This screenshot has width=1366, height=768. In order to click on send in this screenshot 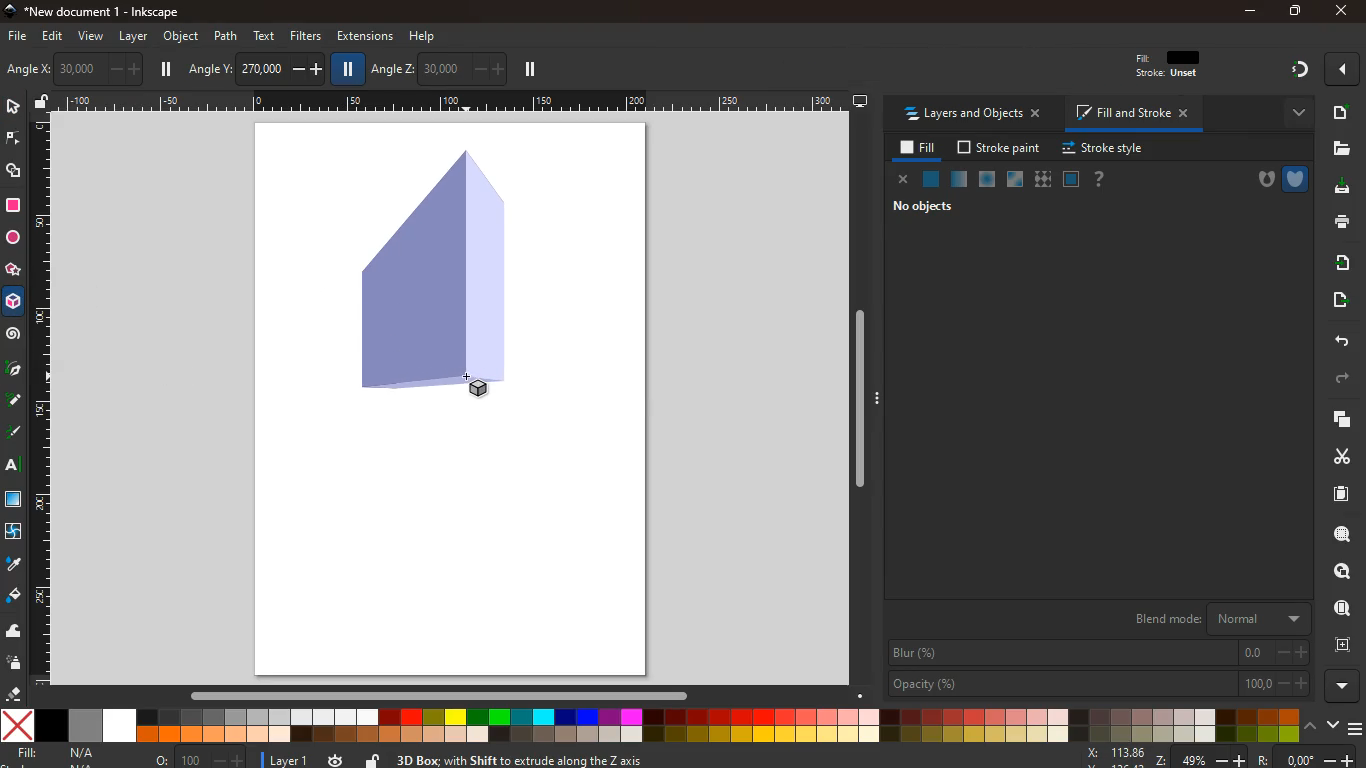, I will do `click(1335, 300)`.